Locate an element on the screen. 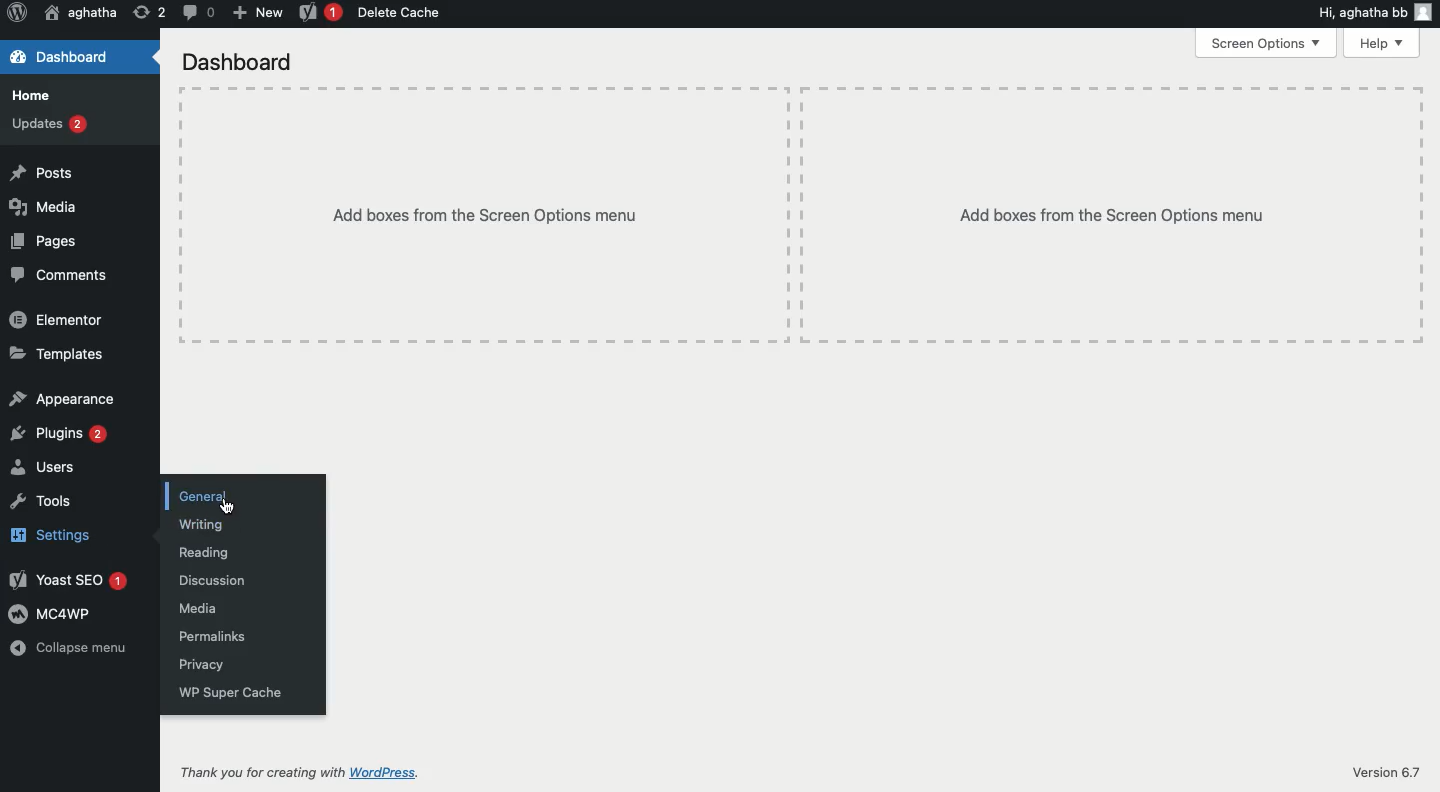 The image size is (1440, 792). Comment is located at coordinates (195, 14).